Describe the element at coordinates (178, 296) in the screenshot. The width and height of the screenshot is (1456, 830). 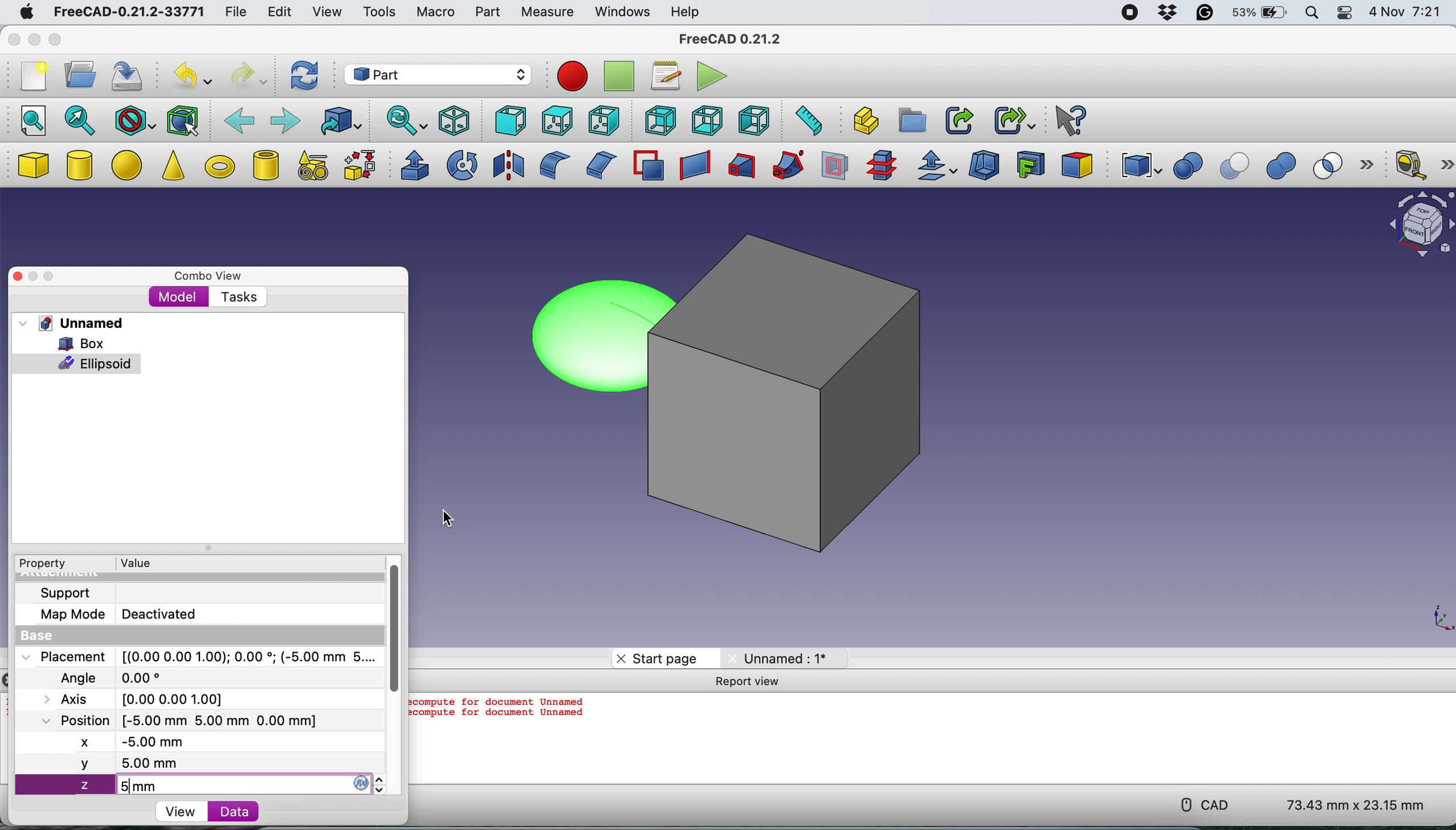
I see `model` at that location.